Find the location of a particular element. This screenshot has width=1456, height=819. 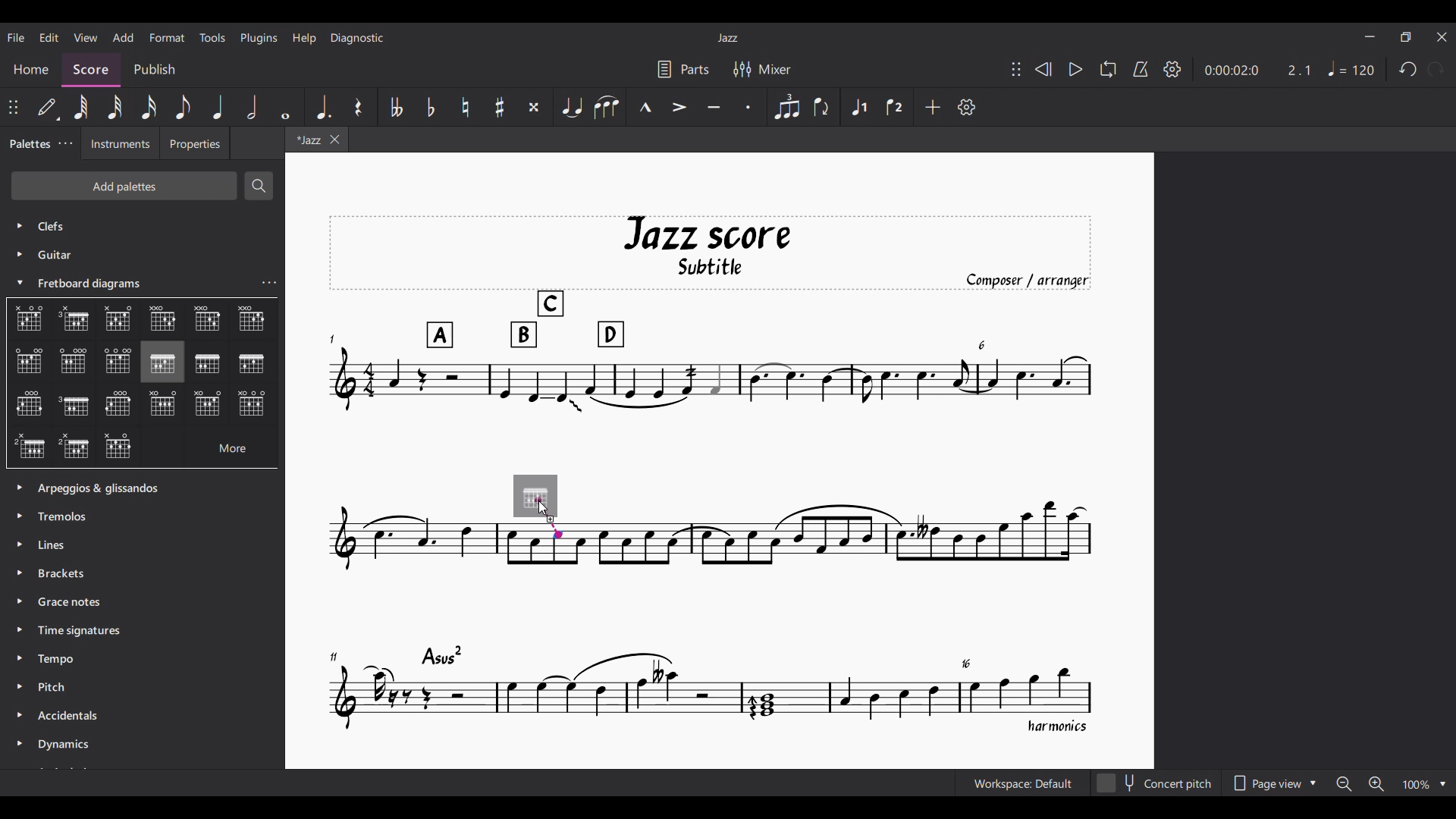

Plugins menu is located at coordinates (259, 39).